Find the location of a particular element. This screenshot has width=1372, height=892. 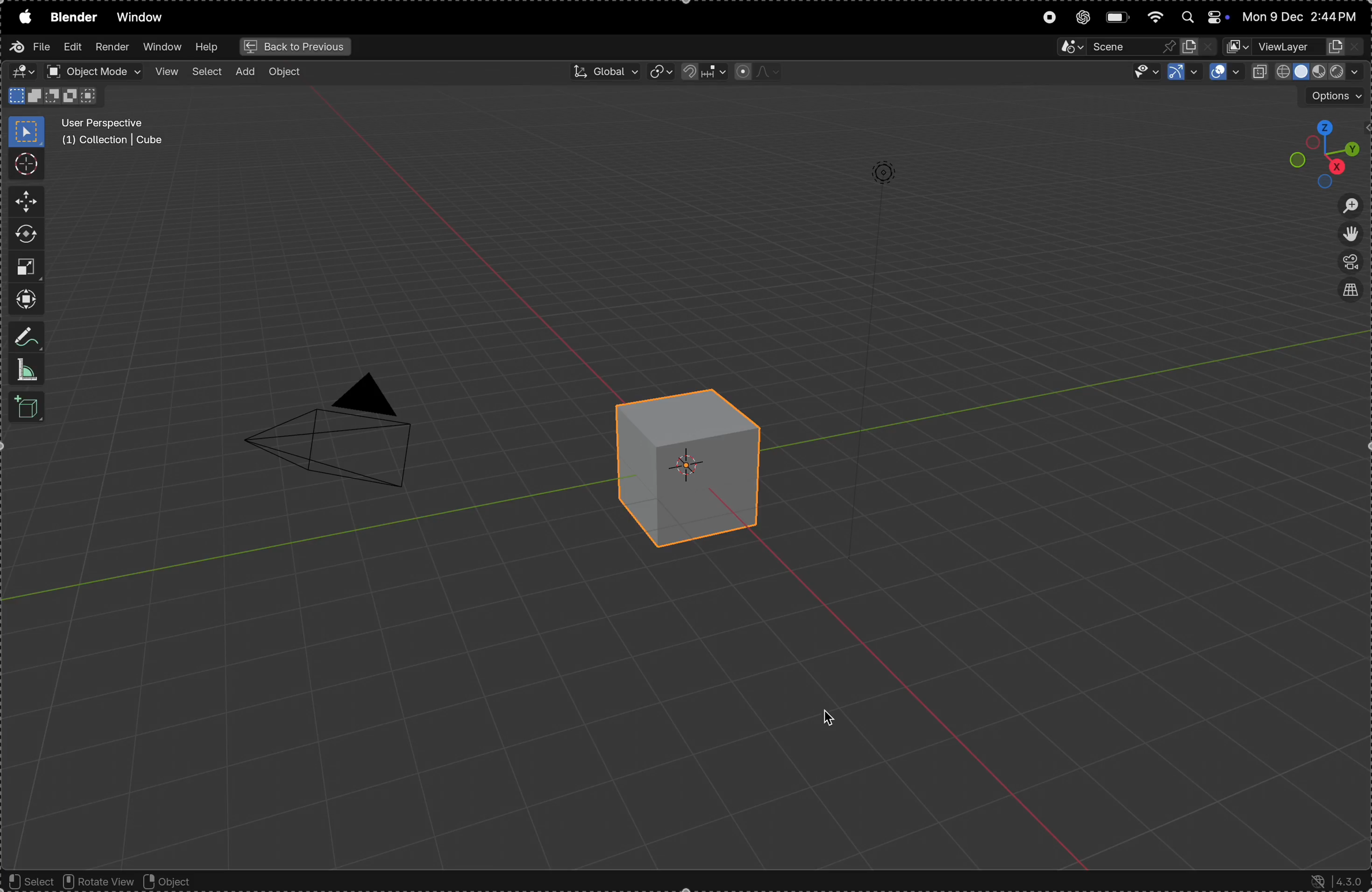

camera is located at coordinates (345, 437).